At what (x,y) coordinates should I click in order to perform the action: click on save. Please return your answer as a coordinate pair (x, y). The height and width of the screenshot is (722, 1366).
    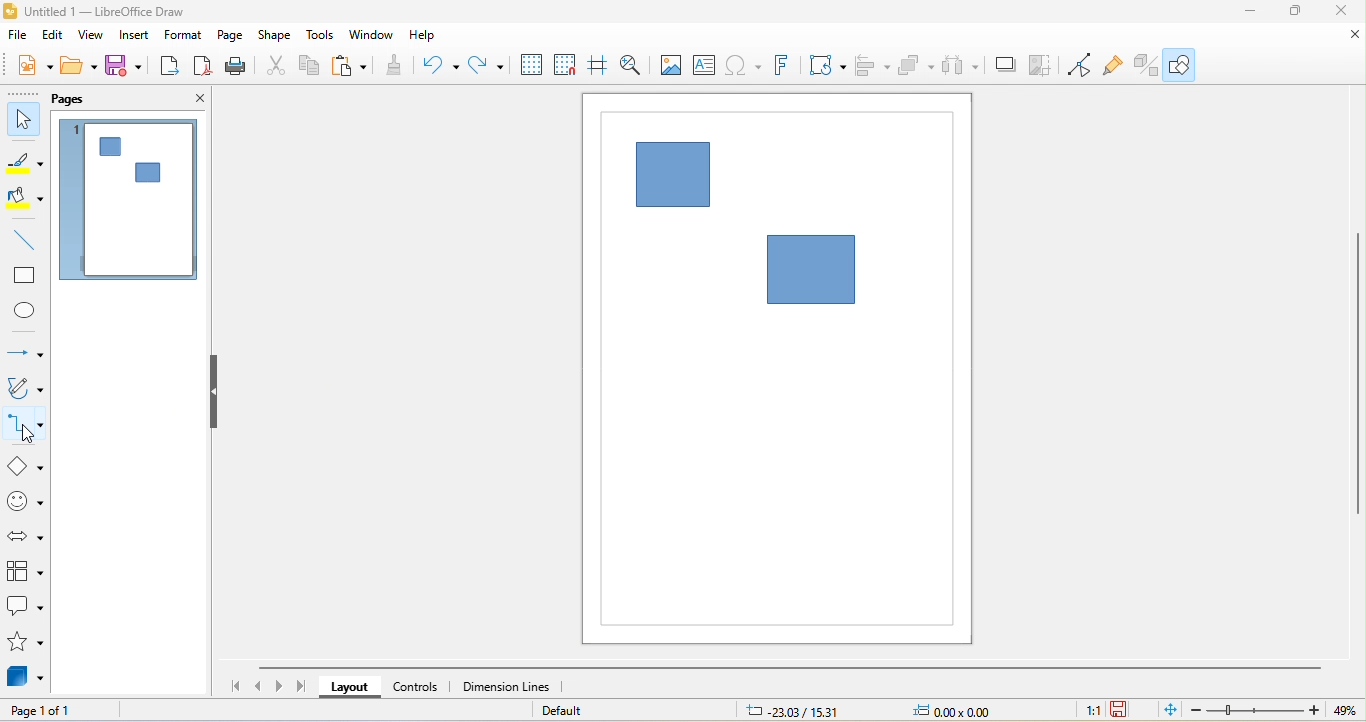
    Looking at the image, I should click on (122, 66).